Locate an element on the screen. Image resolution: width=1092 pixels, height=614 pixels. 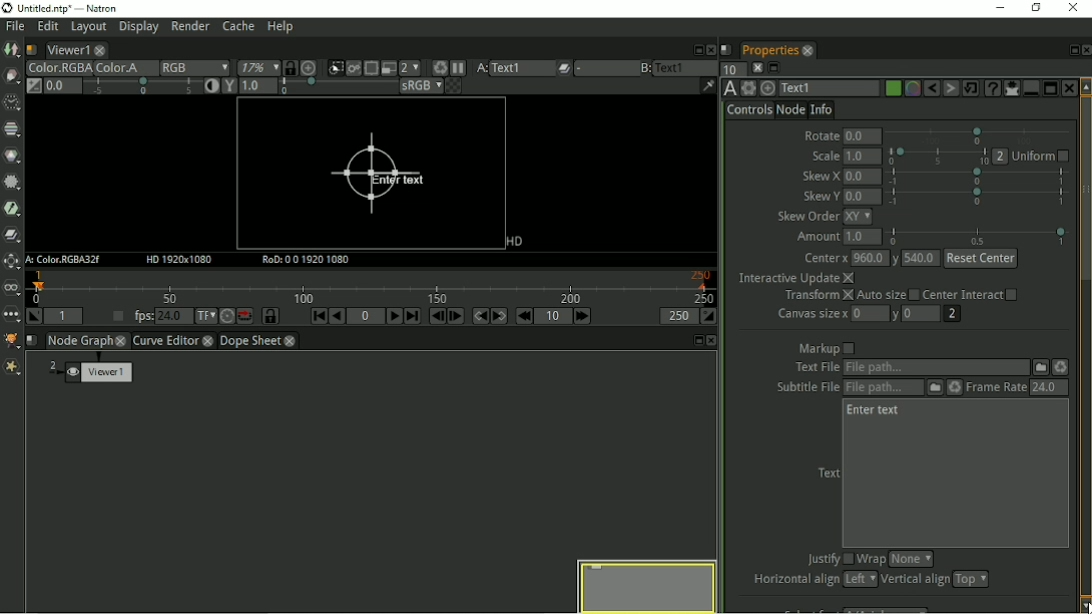
Skew X is located at coordinates (820, 176).